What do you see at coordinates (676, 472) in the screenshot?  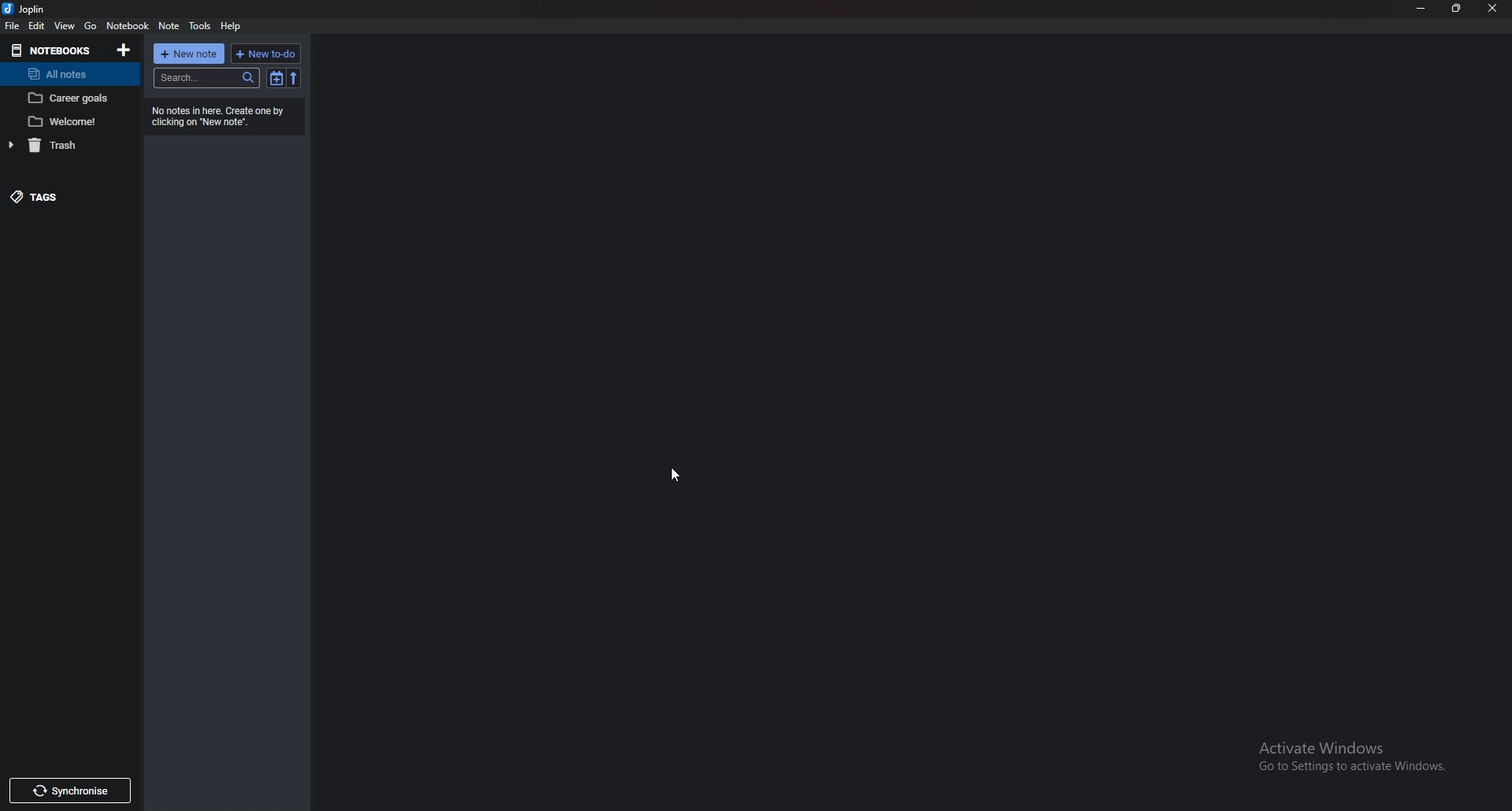 I see `cursor` at bounding box center [676, 472].